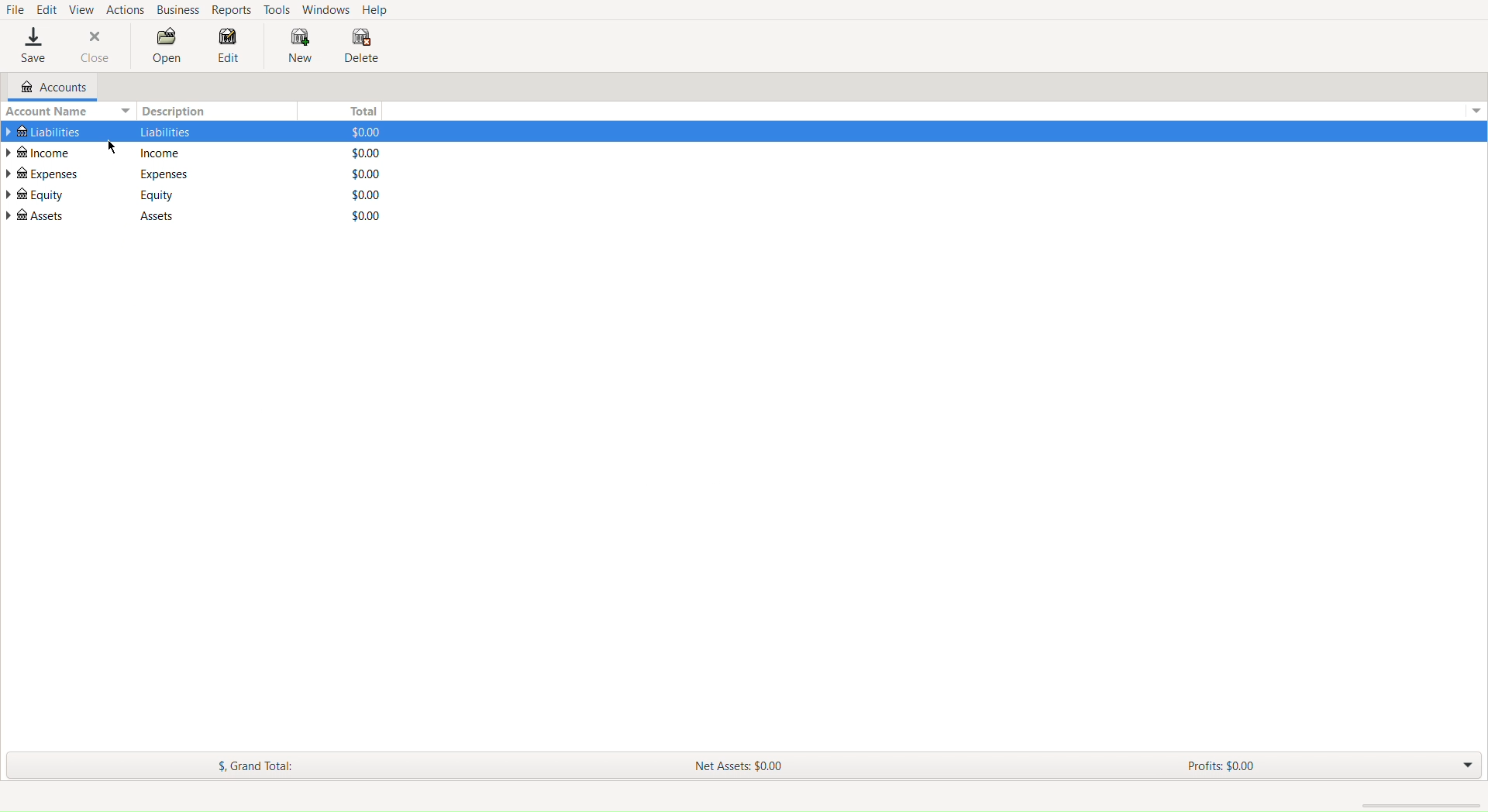  Describe the element at coordinates (362, 47) in the screenshot. I see `Delete` at that location.